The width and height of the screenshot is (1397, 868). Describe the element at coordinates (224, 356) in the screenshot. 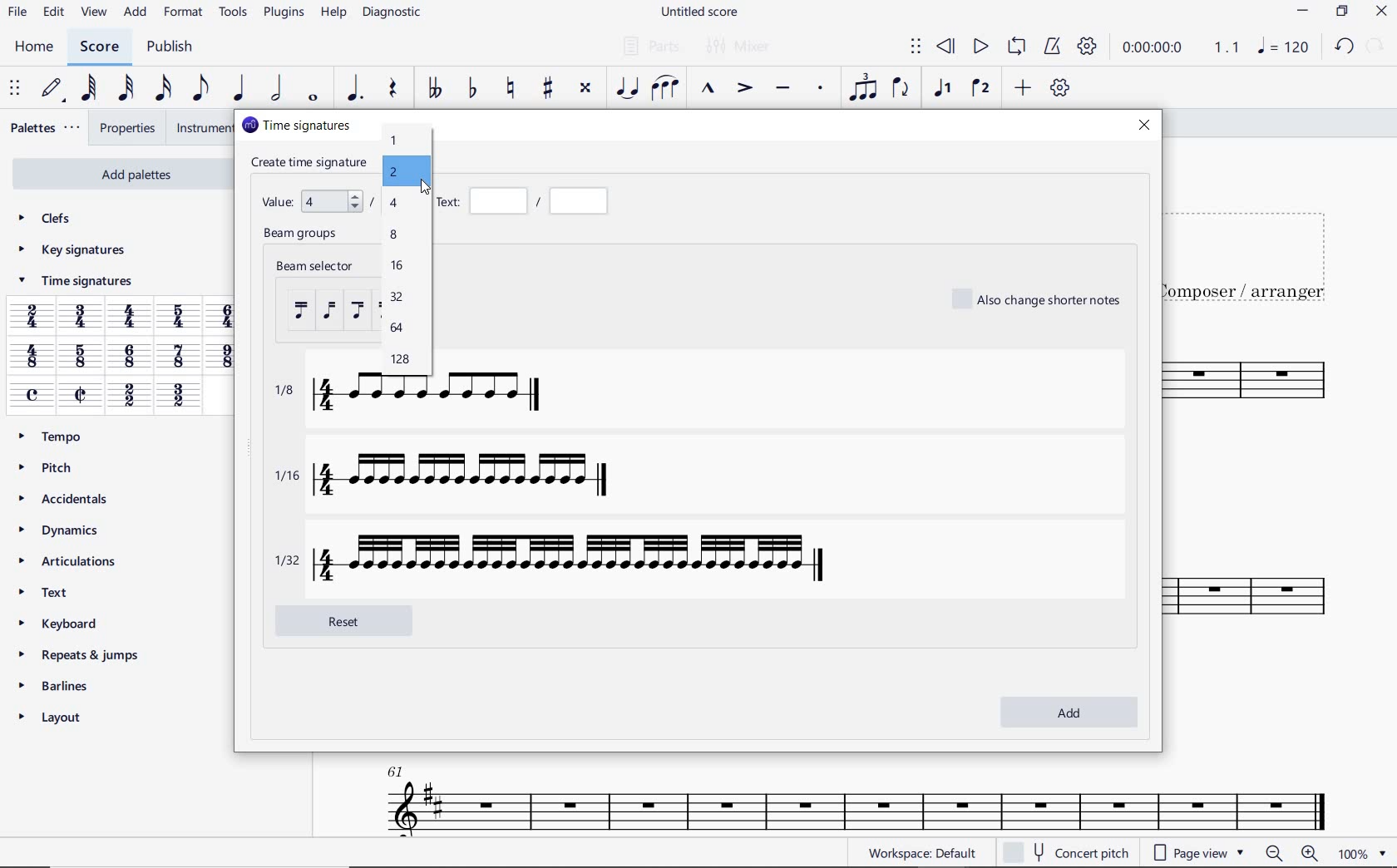

I see `9/8` at that location.